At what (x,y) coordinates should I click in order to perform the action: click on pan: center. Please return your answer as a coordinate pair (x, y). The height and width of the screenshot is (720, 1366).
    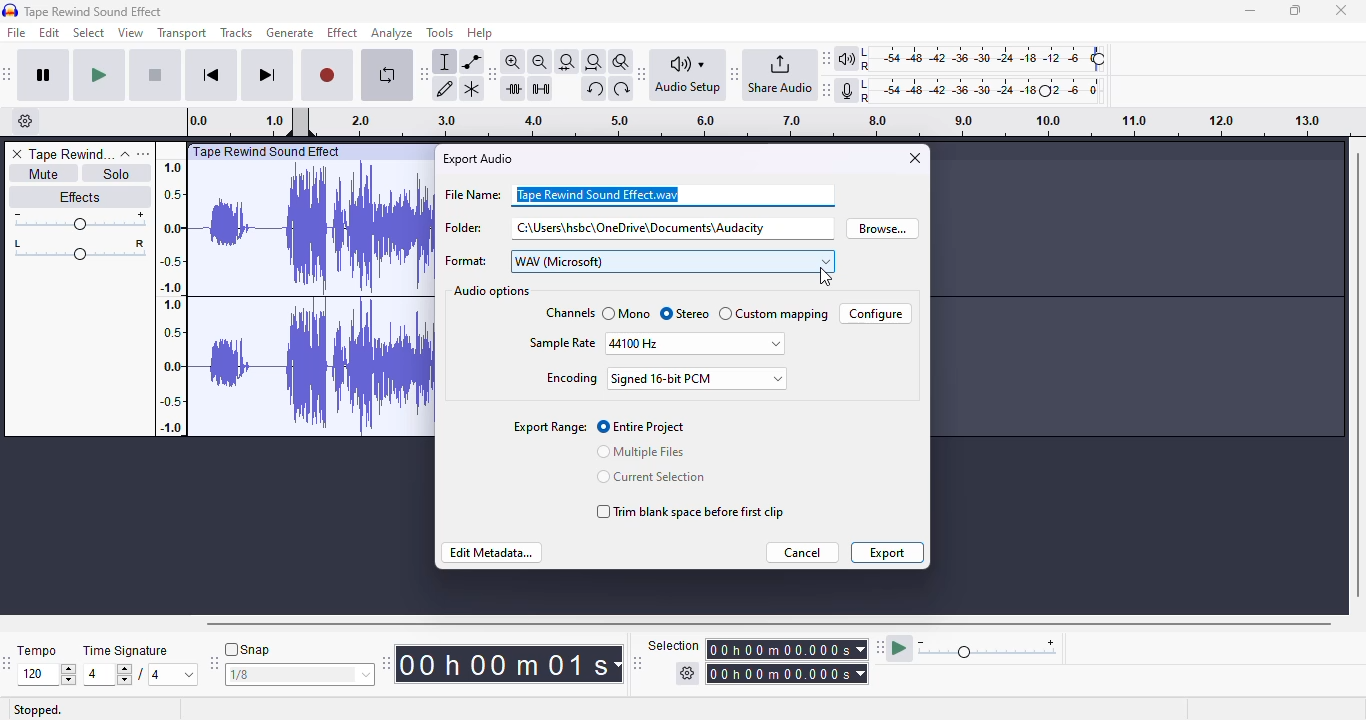
    Looking at the image, I should click on (80, 249).